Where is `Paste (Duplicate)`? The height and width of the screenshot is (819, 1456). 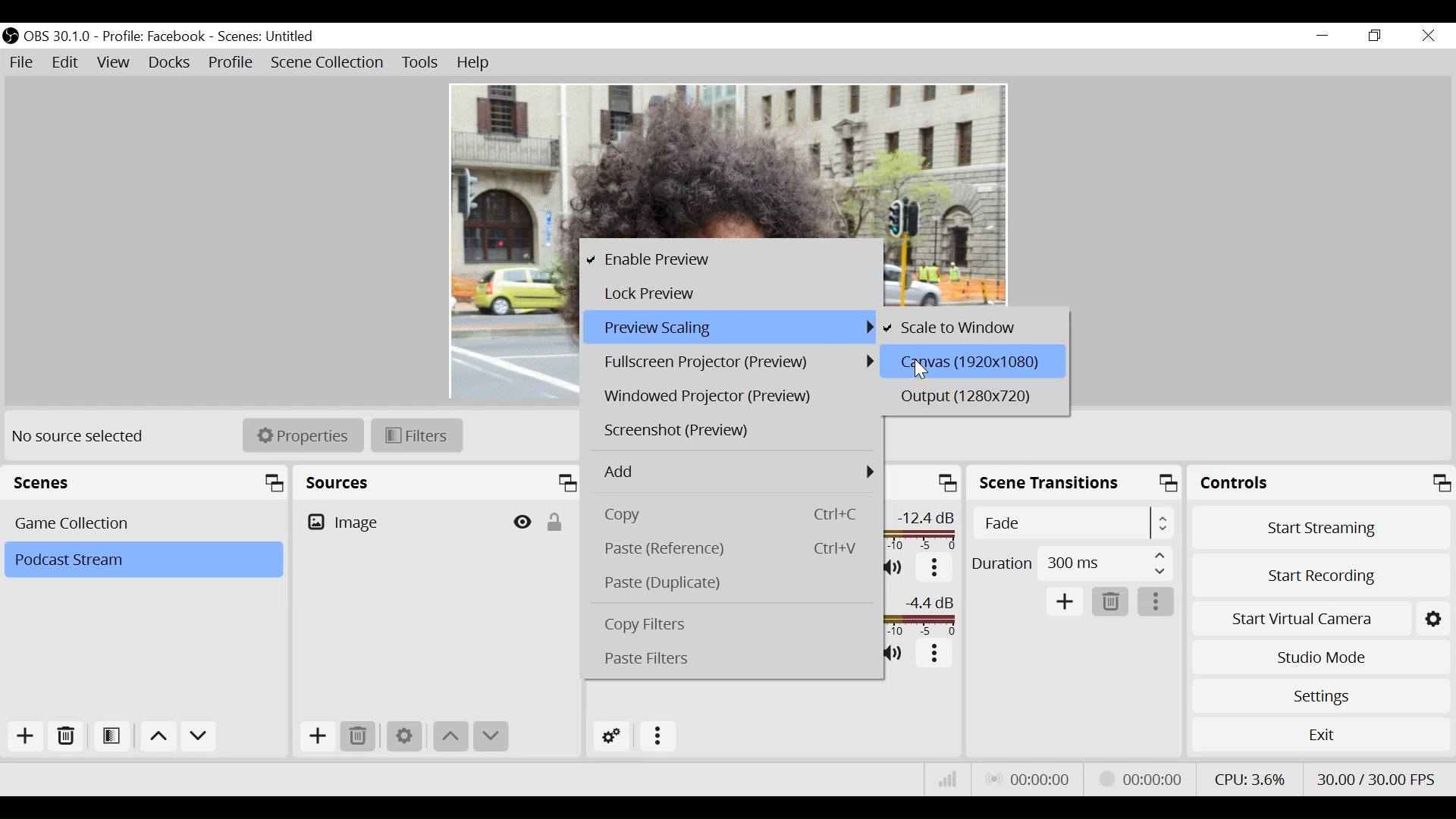 Paste (Duplicate) is located at coordinates (733, 581).